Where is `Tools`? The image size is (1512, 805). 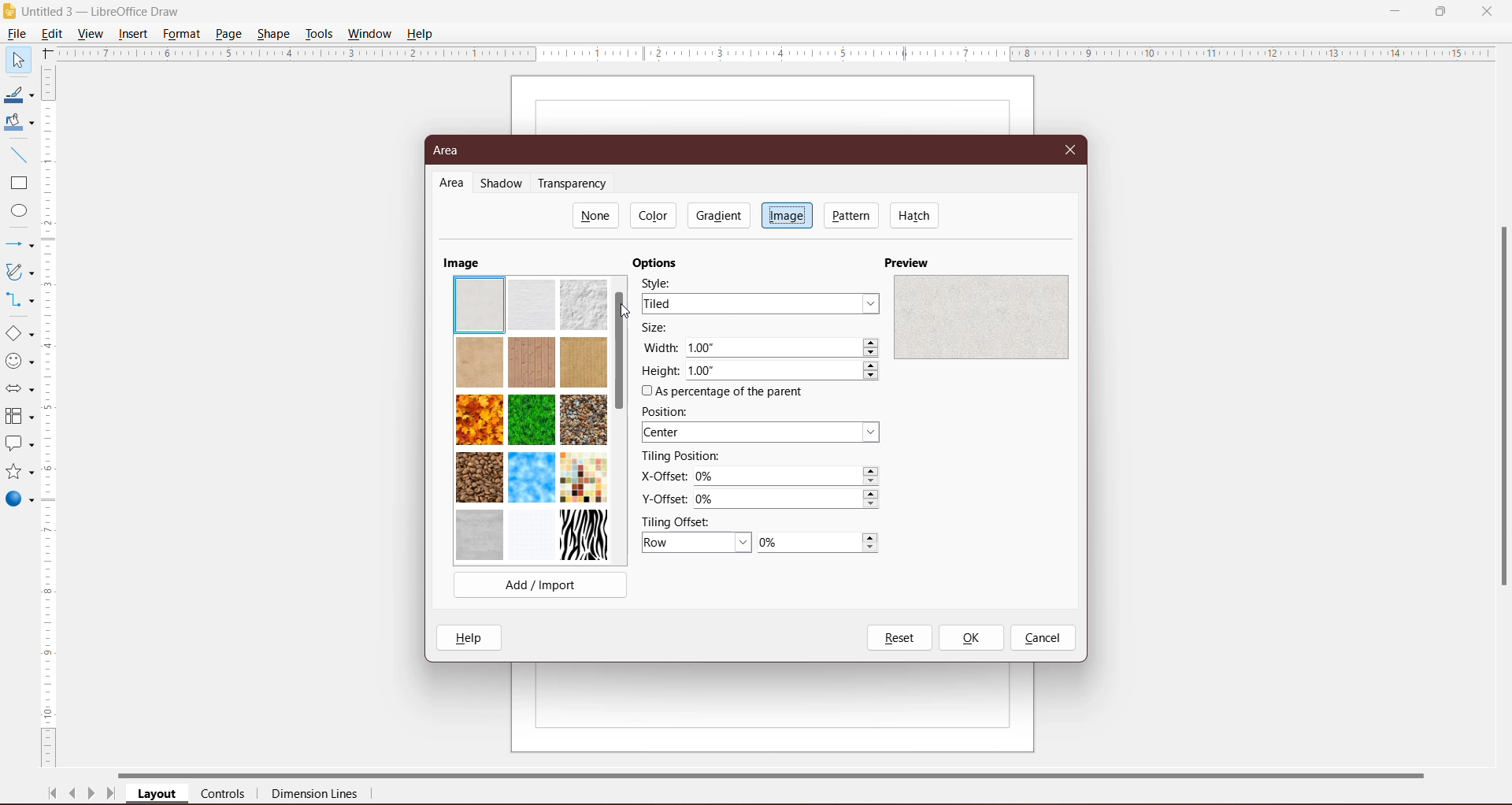 Tools is located at coordinates (319, 34).